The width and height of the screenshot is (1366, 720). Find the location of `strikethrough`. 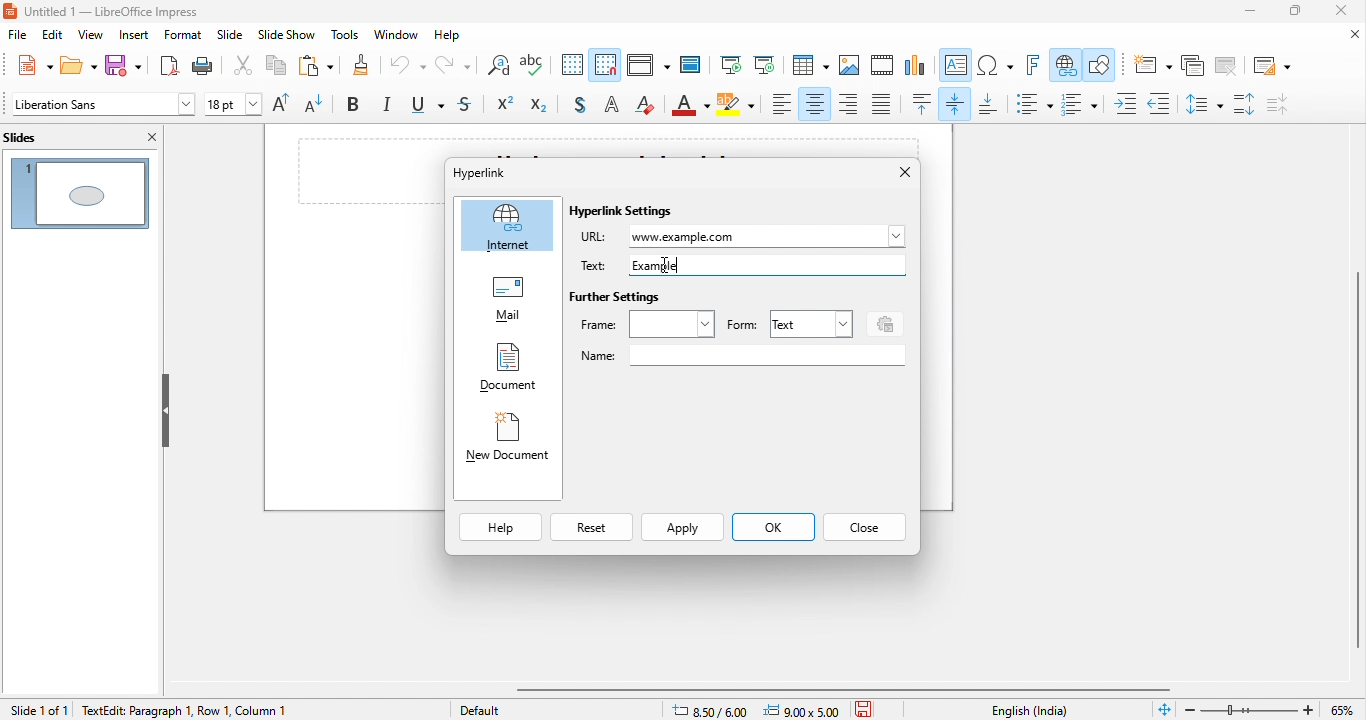

strikethrough is located at coordinates (469, 106).